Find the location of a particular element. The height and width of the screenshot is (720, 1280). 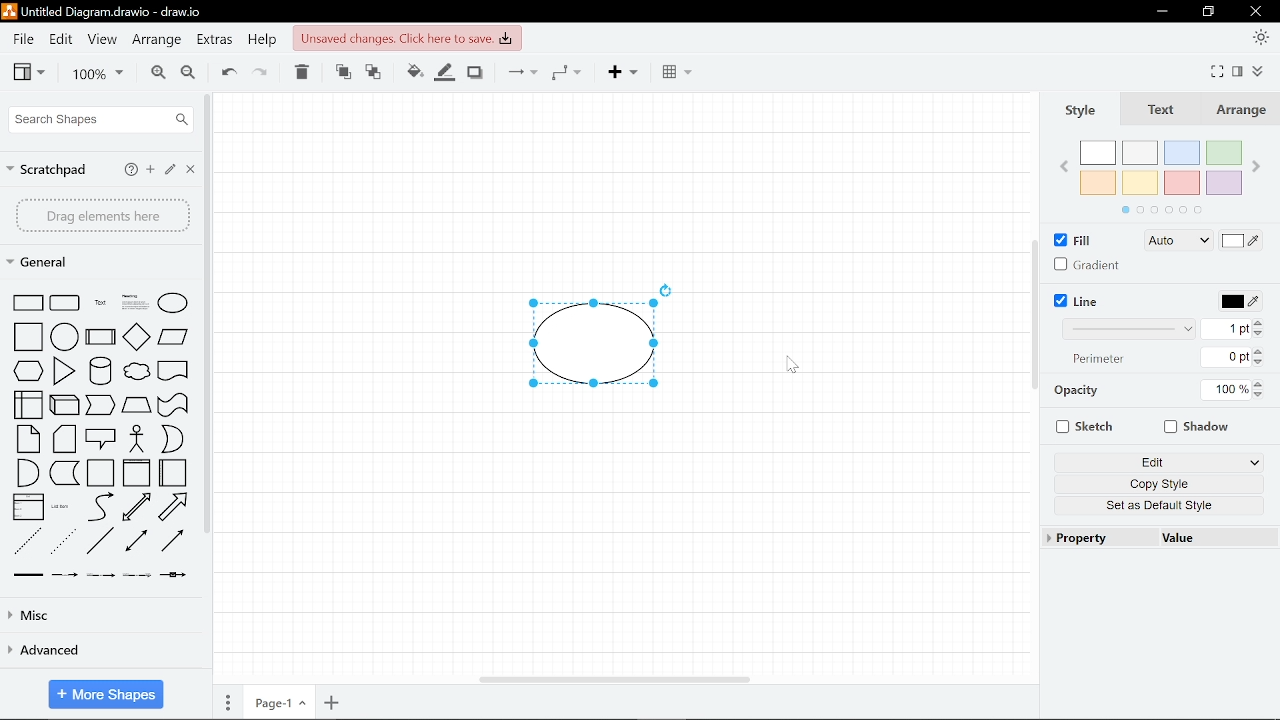

Redo is located at coordinates (262, 73).